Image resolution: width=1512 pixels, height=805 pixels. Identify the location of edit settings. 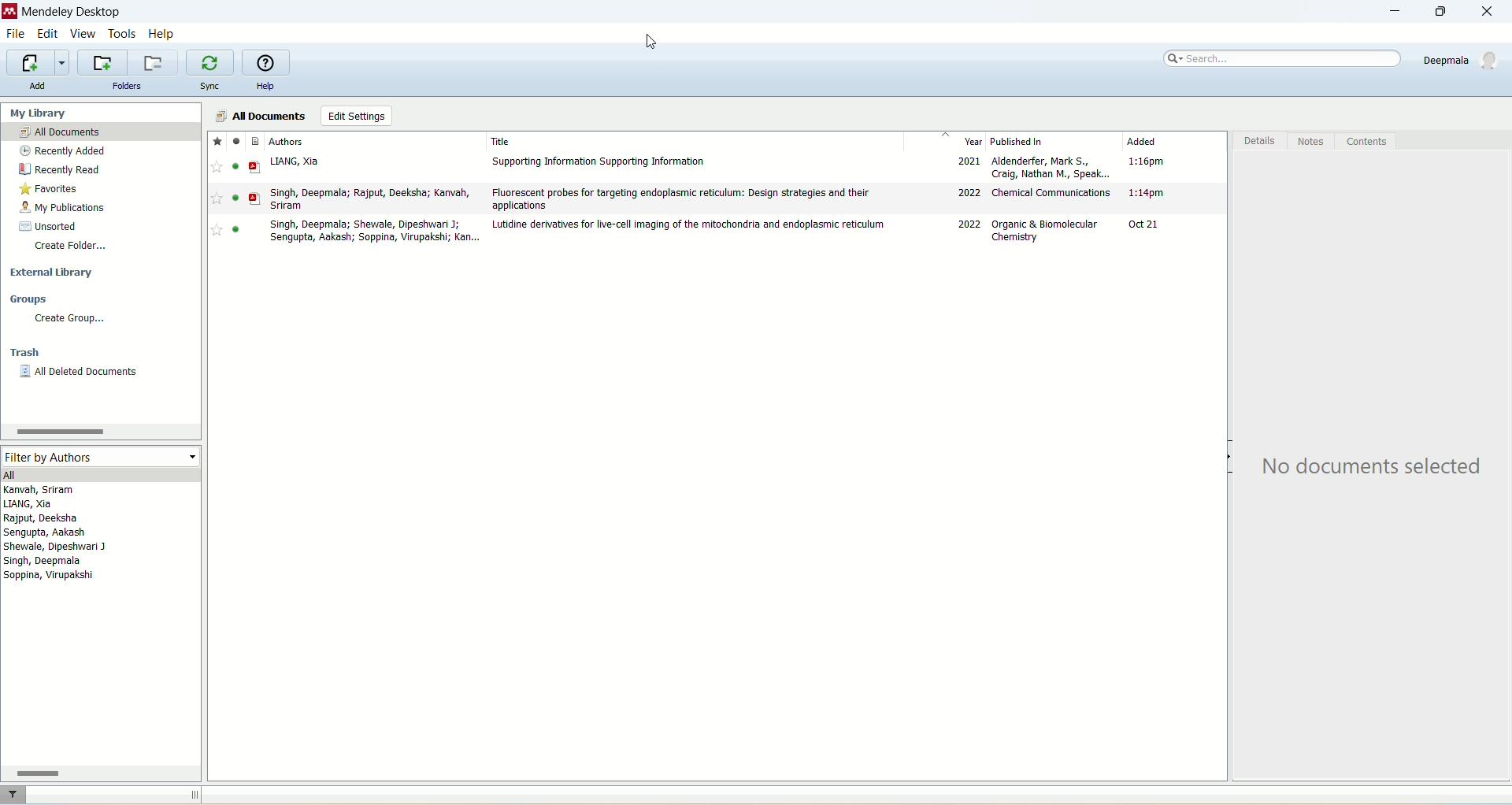
(357, 117).